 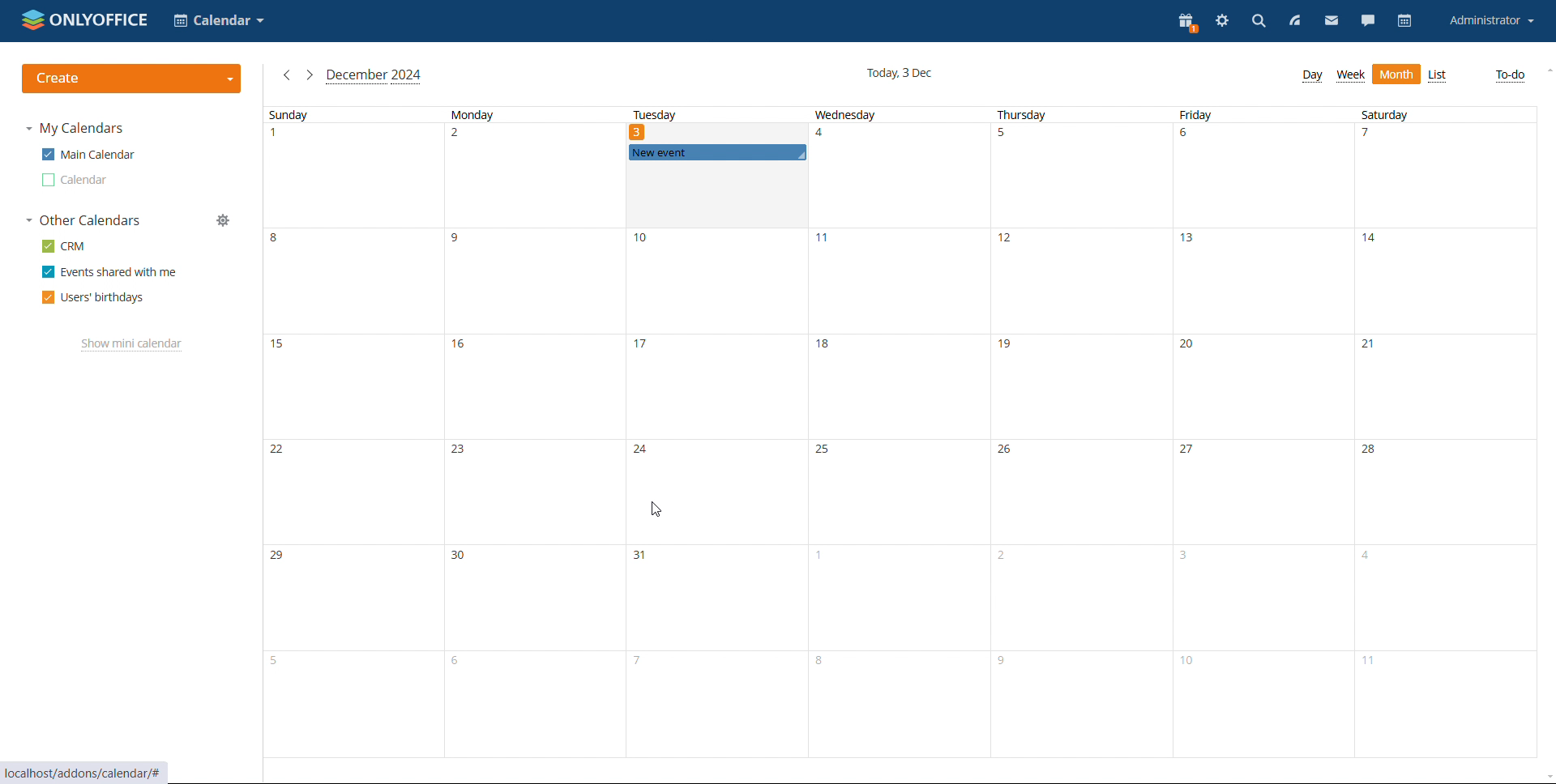 What do you see at coordinates (1086, 596) in the screenshot?
I see `date` at bounding box center [1086, 596].